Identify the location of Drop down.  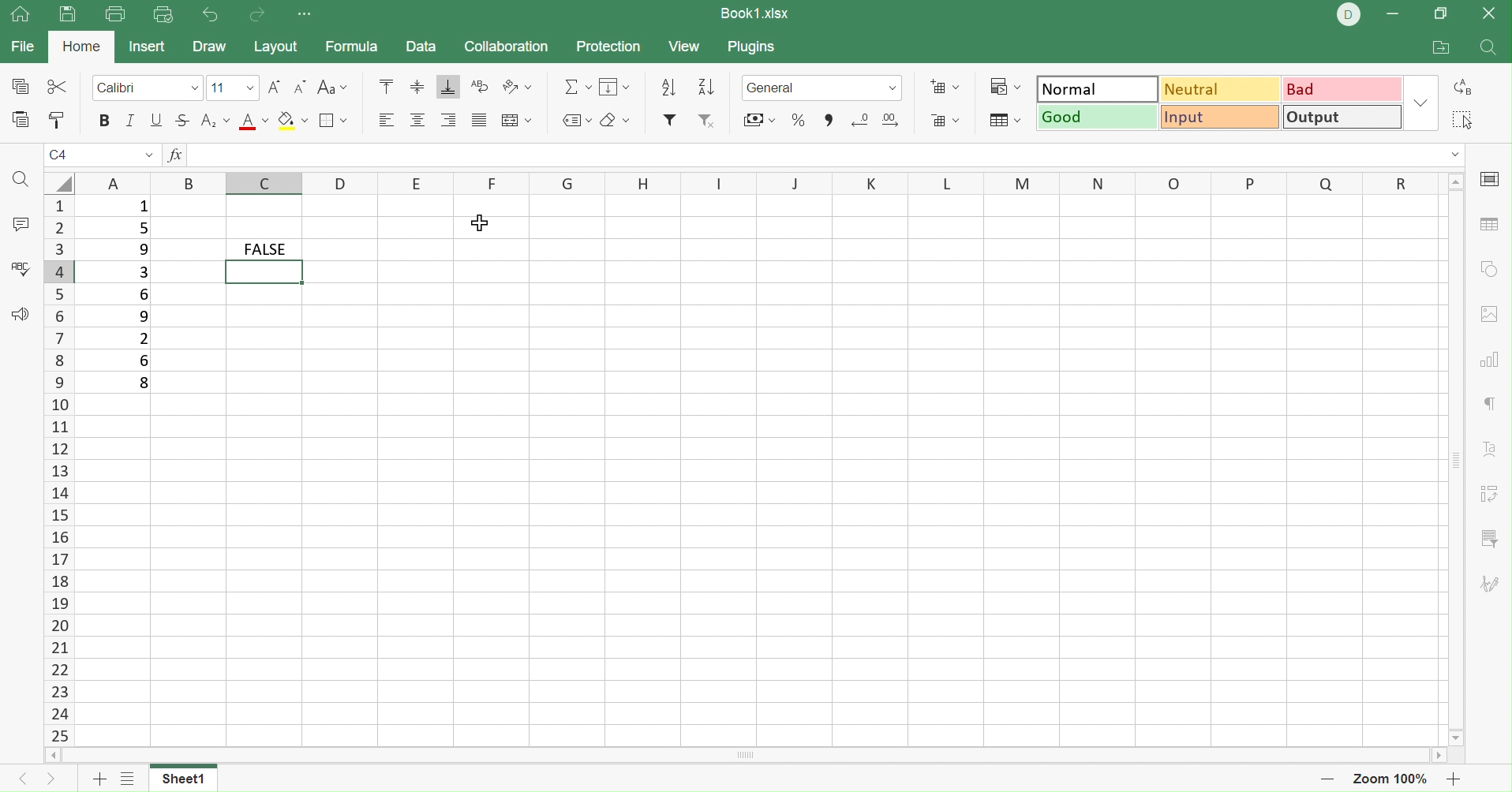
(149, 155).